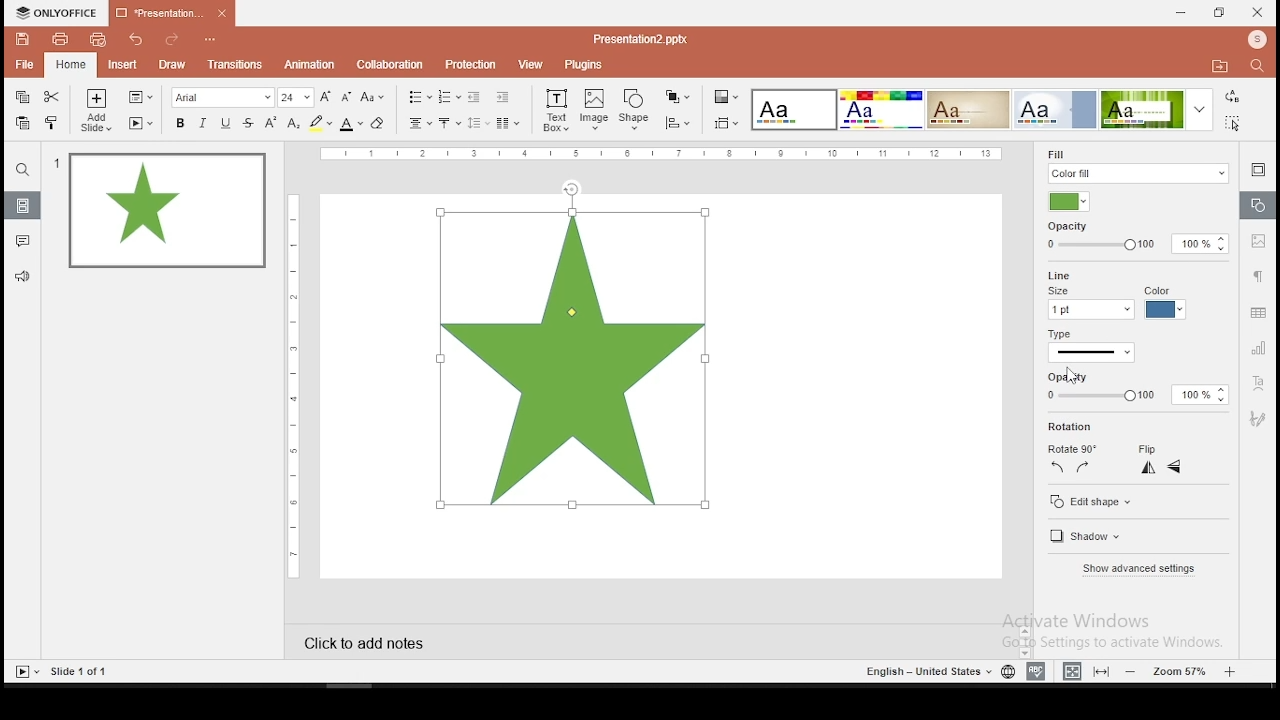 Image resolution: width=1280 pixels, height=720 pixels. Describe the element at coordinates (51, 97) in the screenshot. I see `cut` at that location.